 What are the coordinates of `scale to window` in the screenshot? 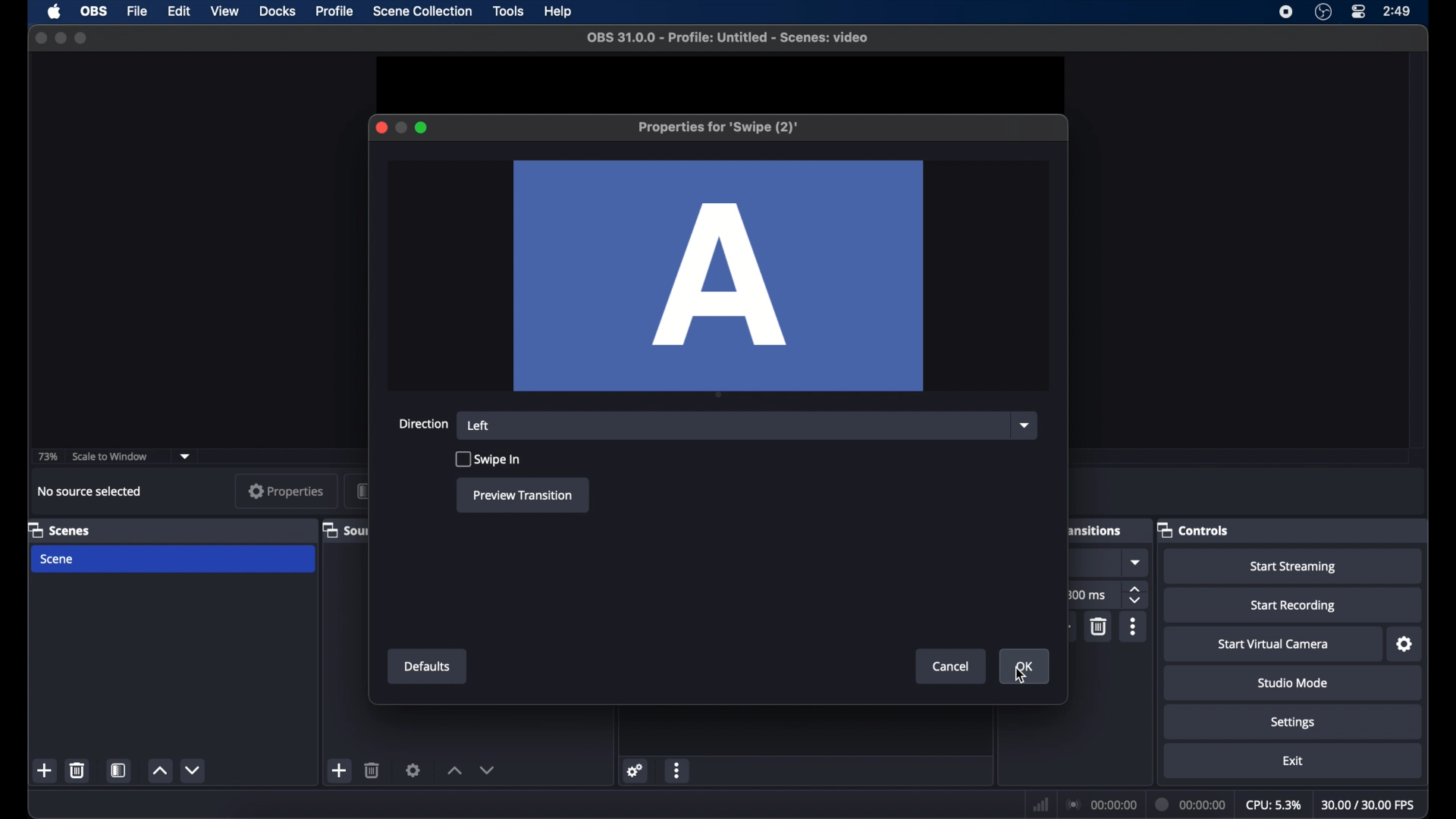 It's located at (111, 457).